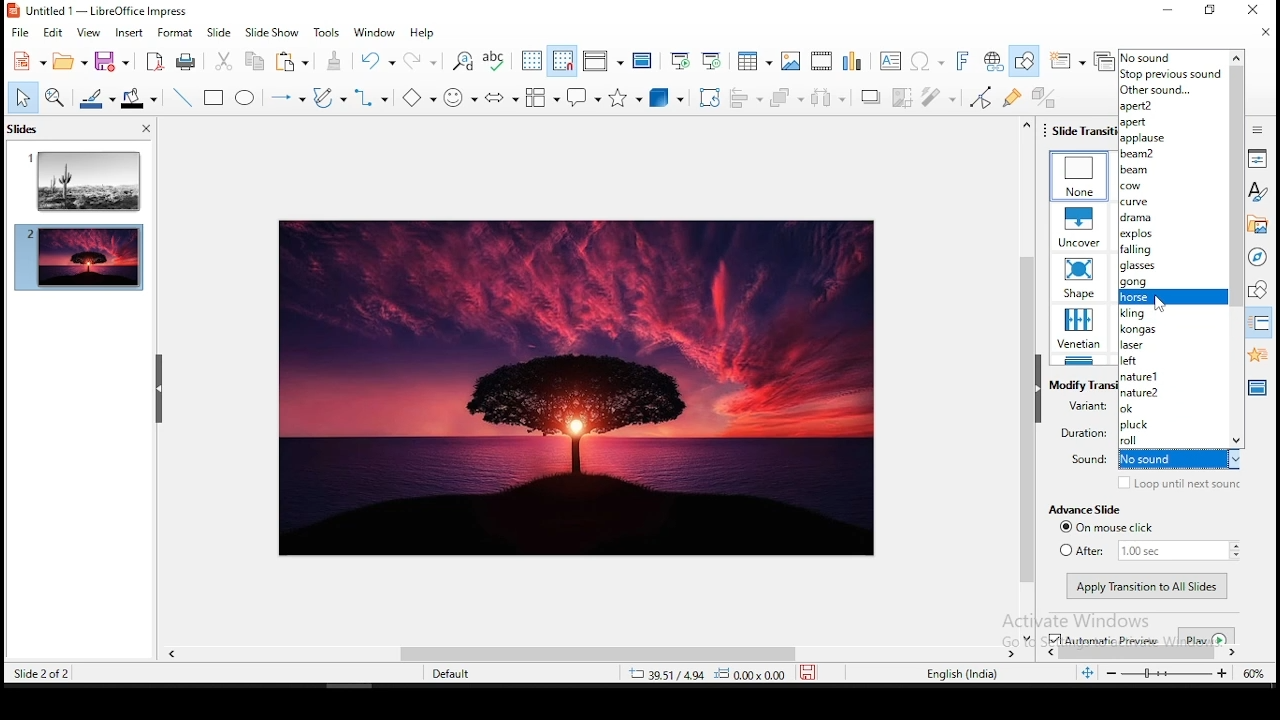  Describe the element at coordinates (1172, 330) in the screenshot. I see `kongas` at that location.